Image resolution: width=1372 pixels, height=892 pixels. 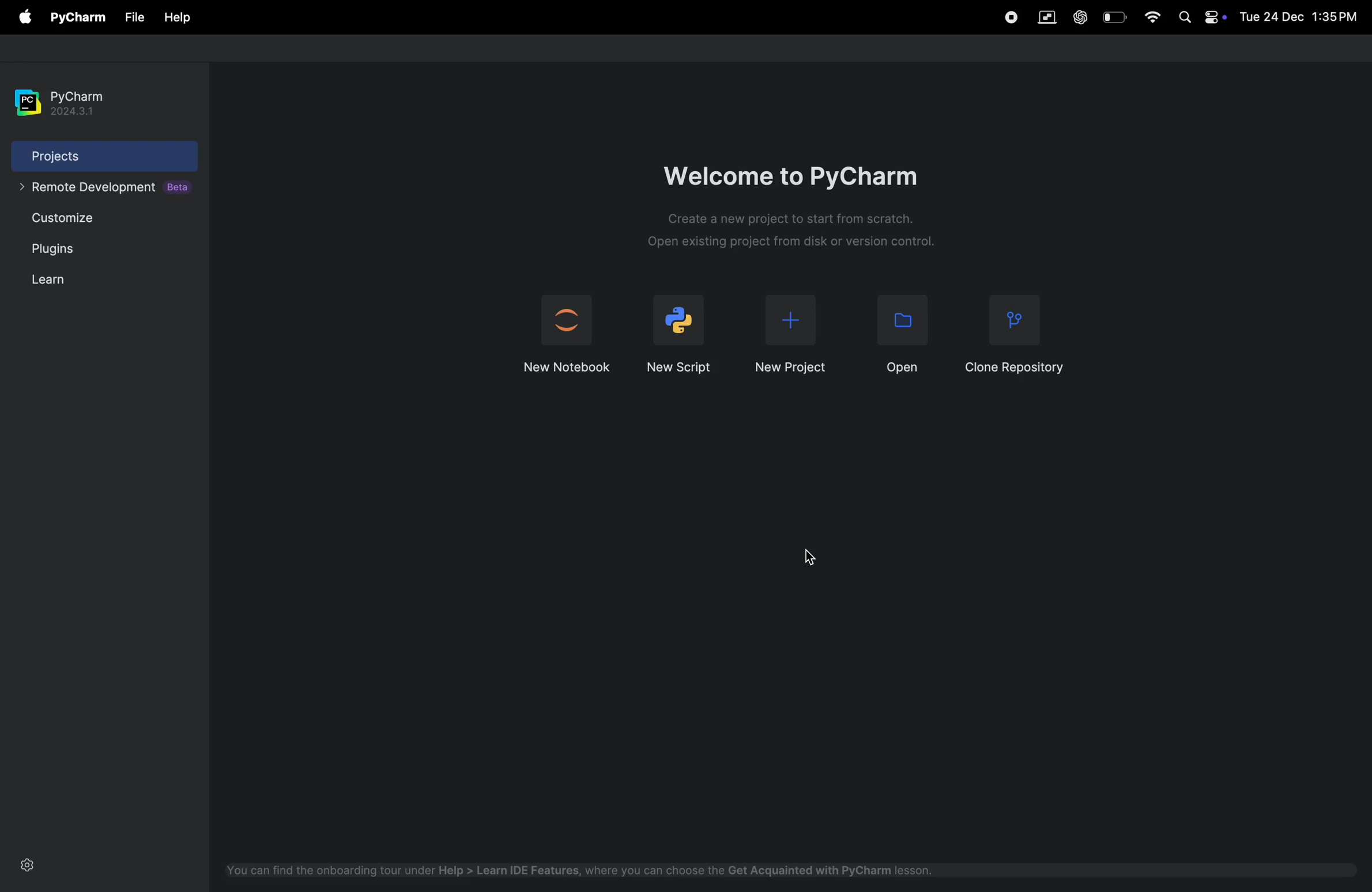 I want to click on parallel space, so click(x=1043, y=18).